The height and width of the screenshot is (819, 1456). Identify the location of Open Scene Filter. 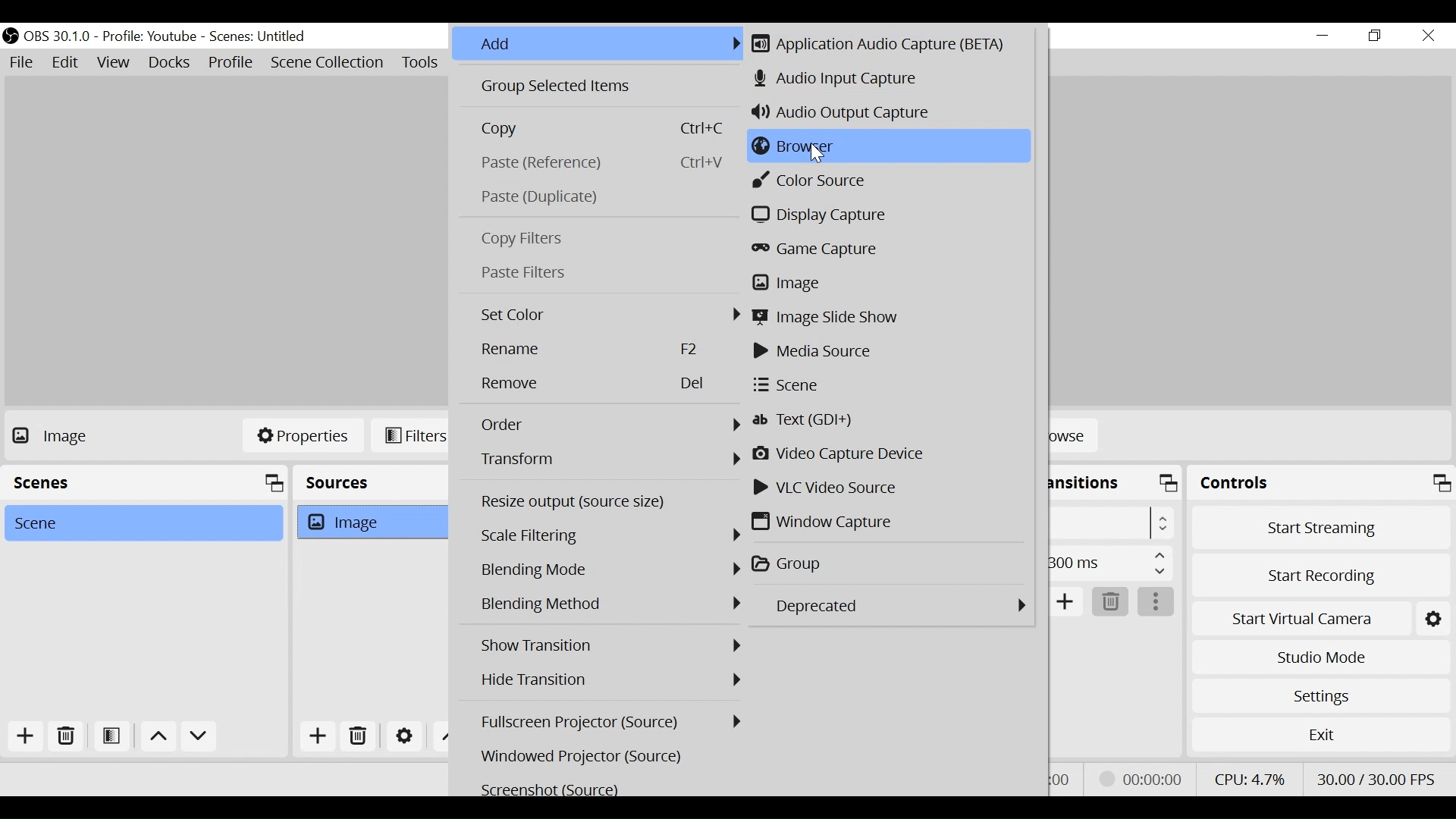
(113, 738).